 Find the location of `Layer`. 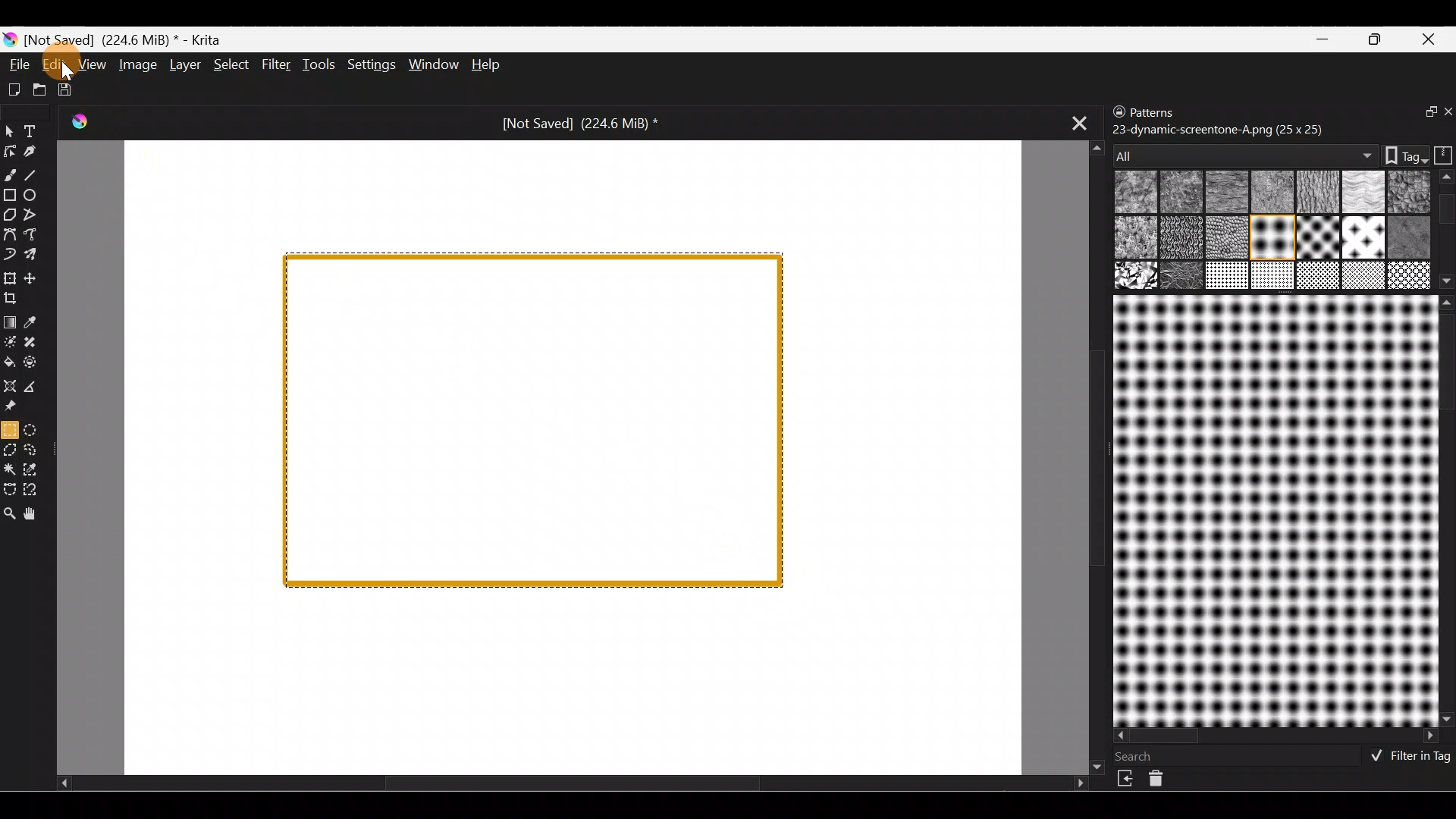

Layer is located at coordinates (184, 64).